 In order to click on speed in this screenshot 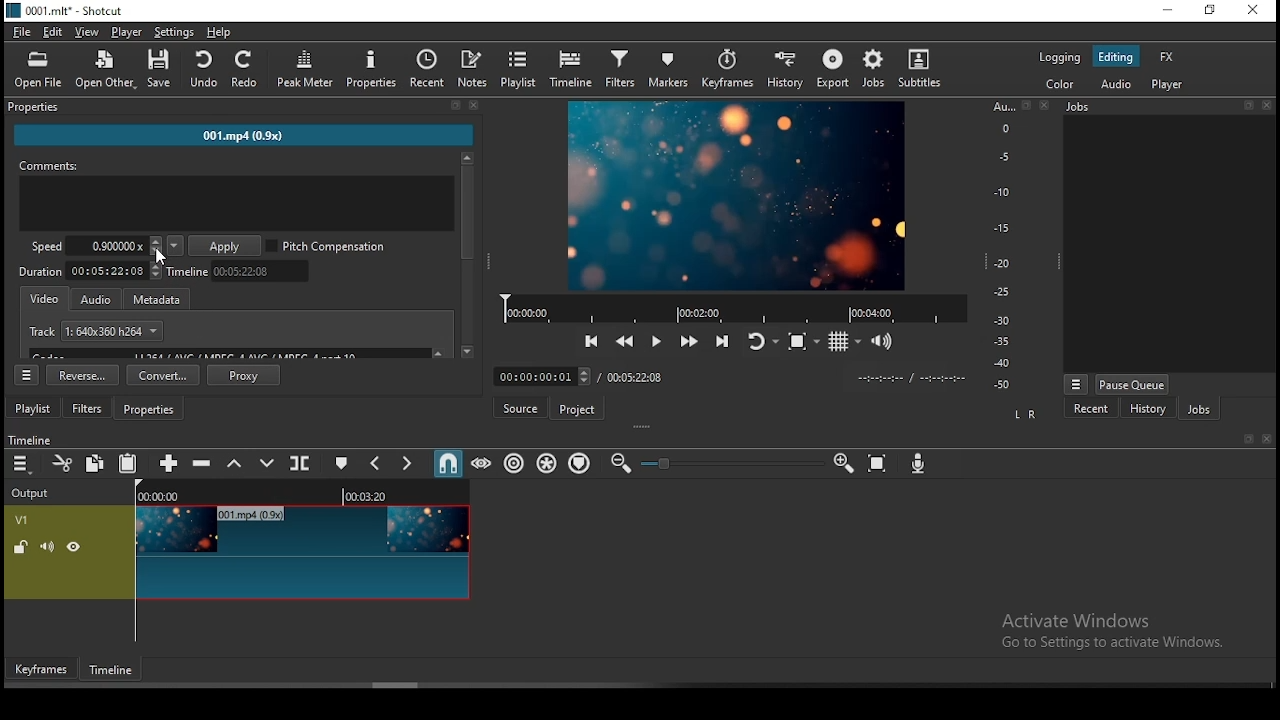, I will do `click(96, 245)`.